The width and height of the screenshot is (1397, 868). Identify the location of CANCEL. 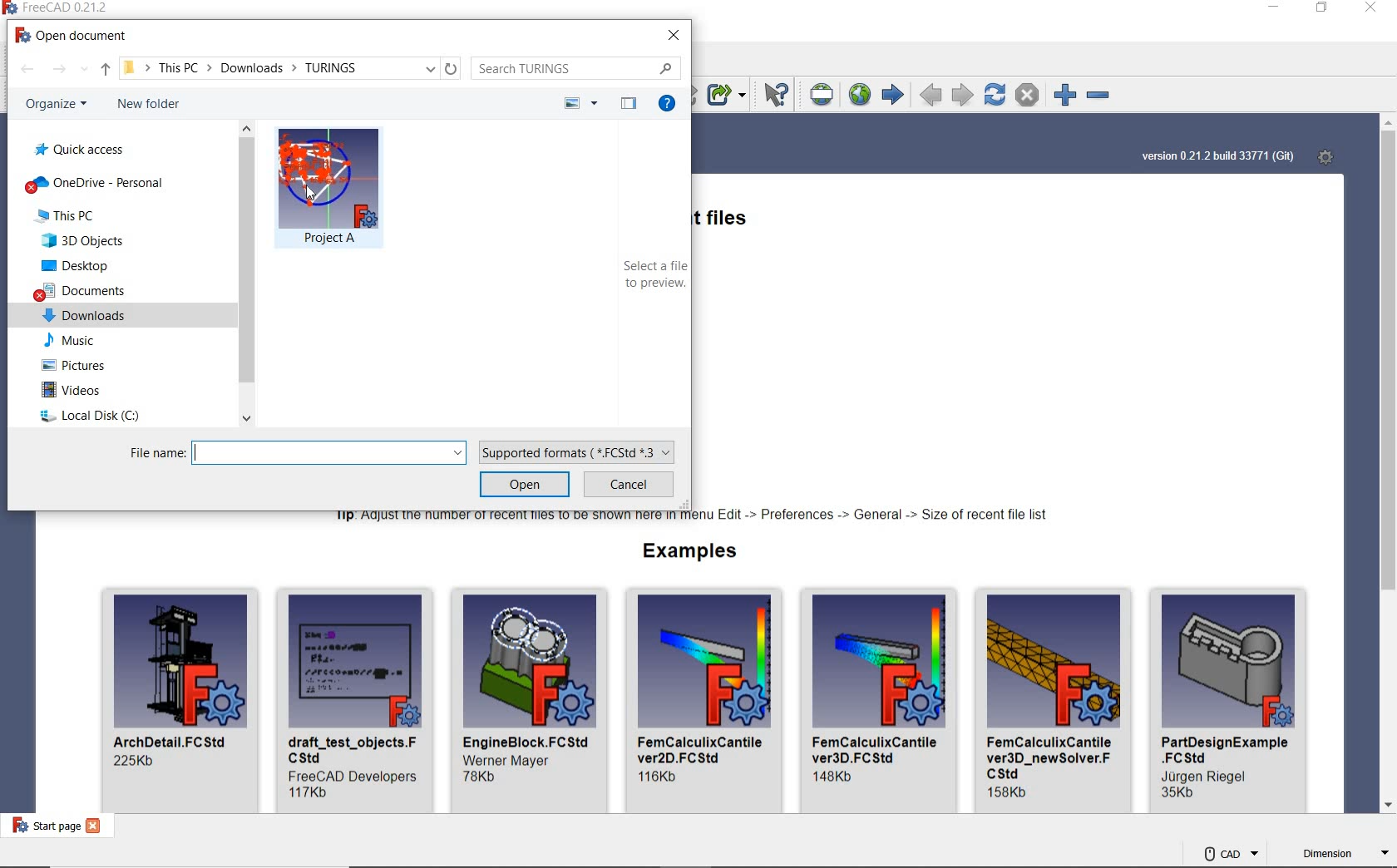
(630, 485).